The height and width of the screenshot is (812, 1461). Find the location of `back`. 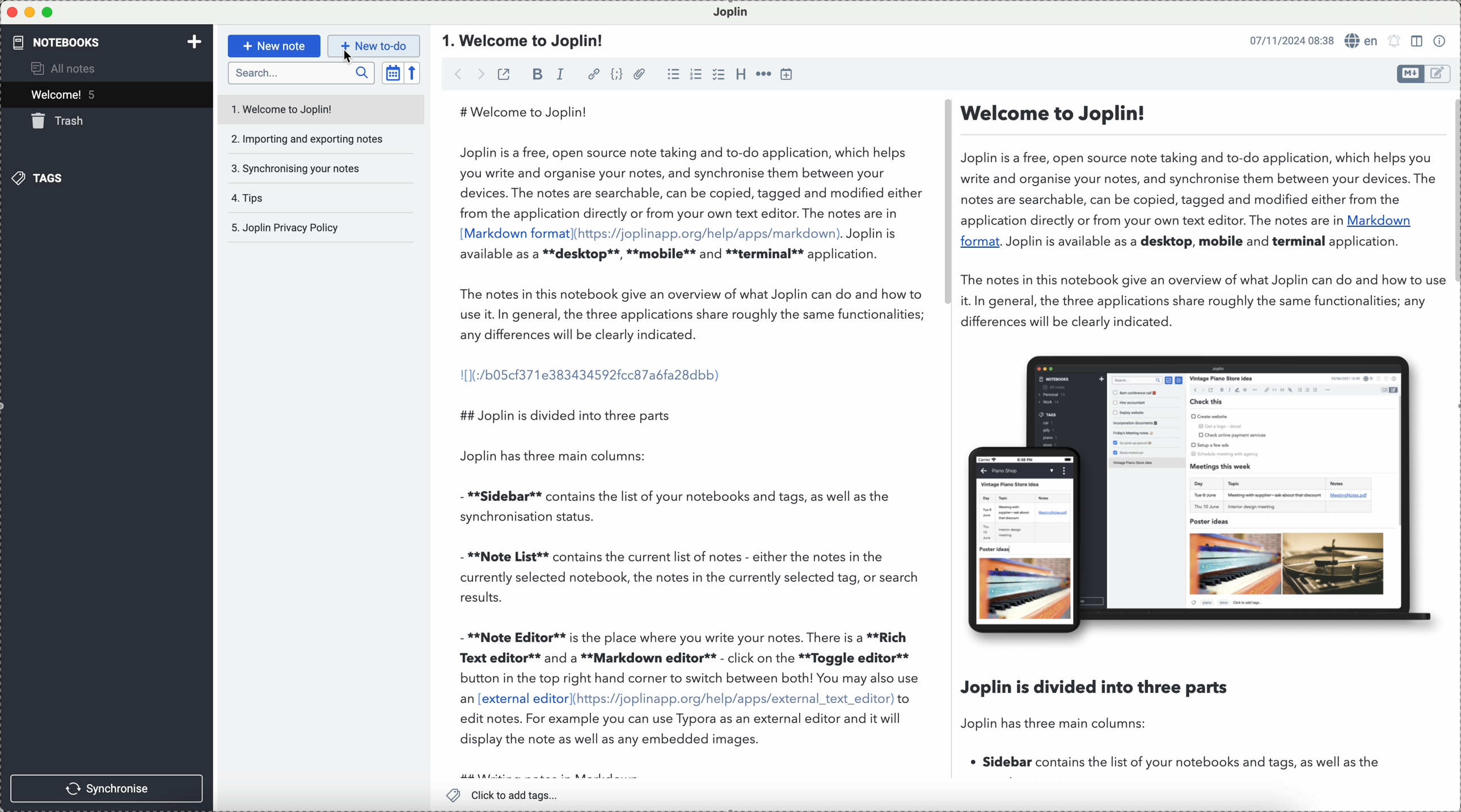

back is located at coordinates (459, 73).